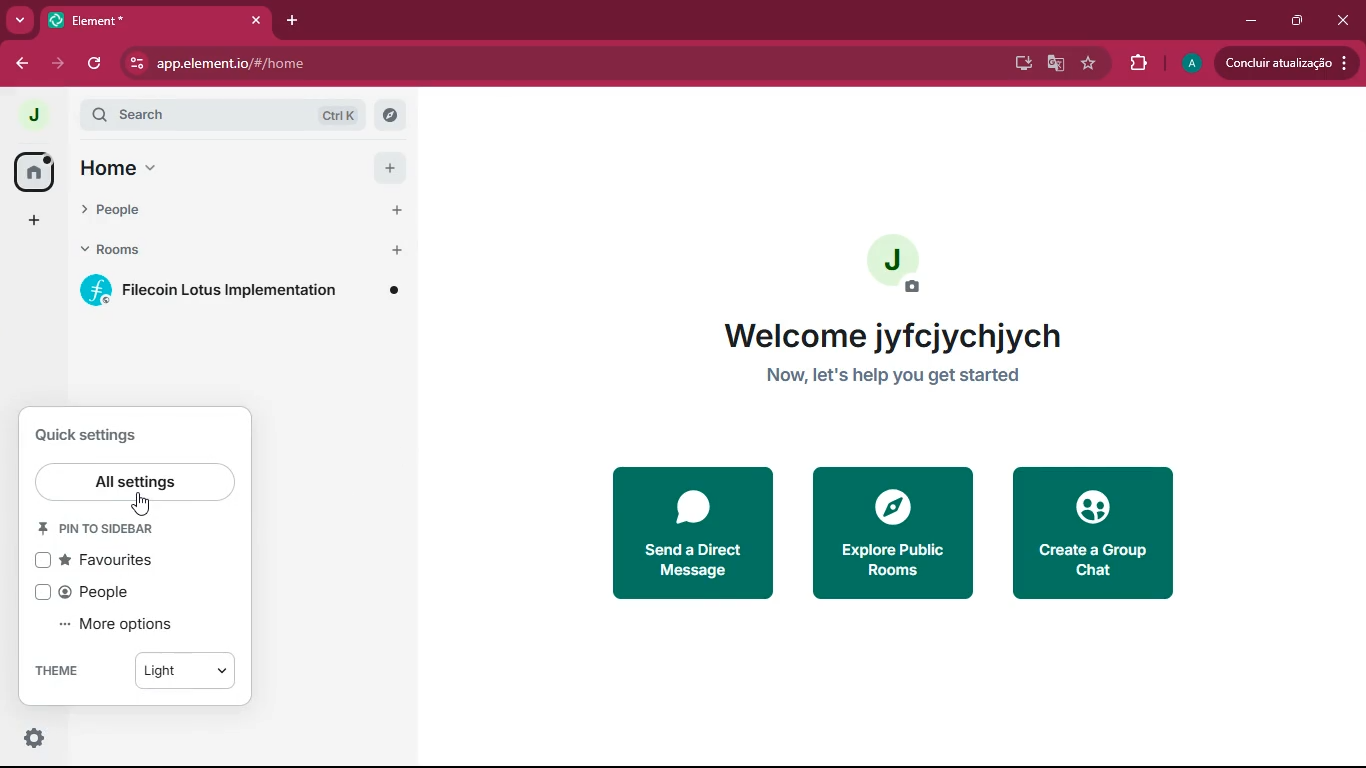  What do you see at coordinates (60, 65) in the screenshot?
I see `forward` at bounding box center [60, 65].